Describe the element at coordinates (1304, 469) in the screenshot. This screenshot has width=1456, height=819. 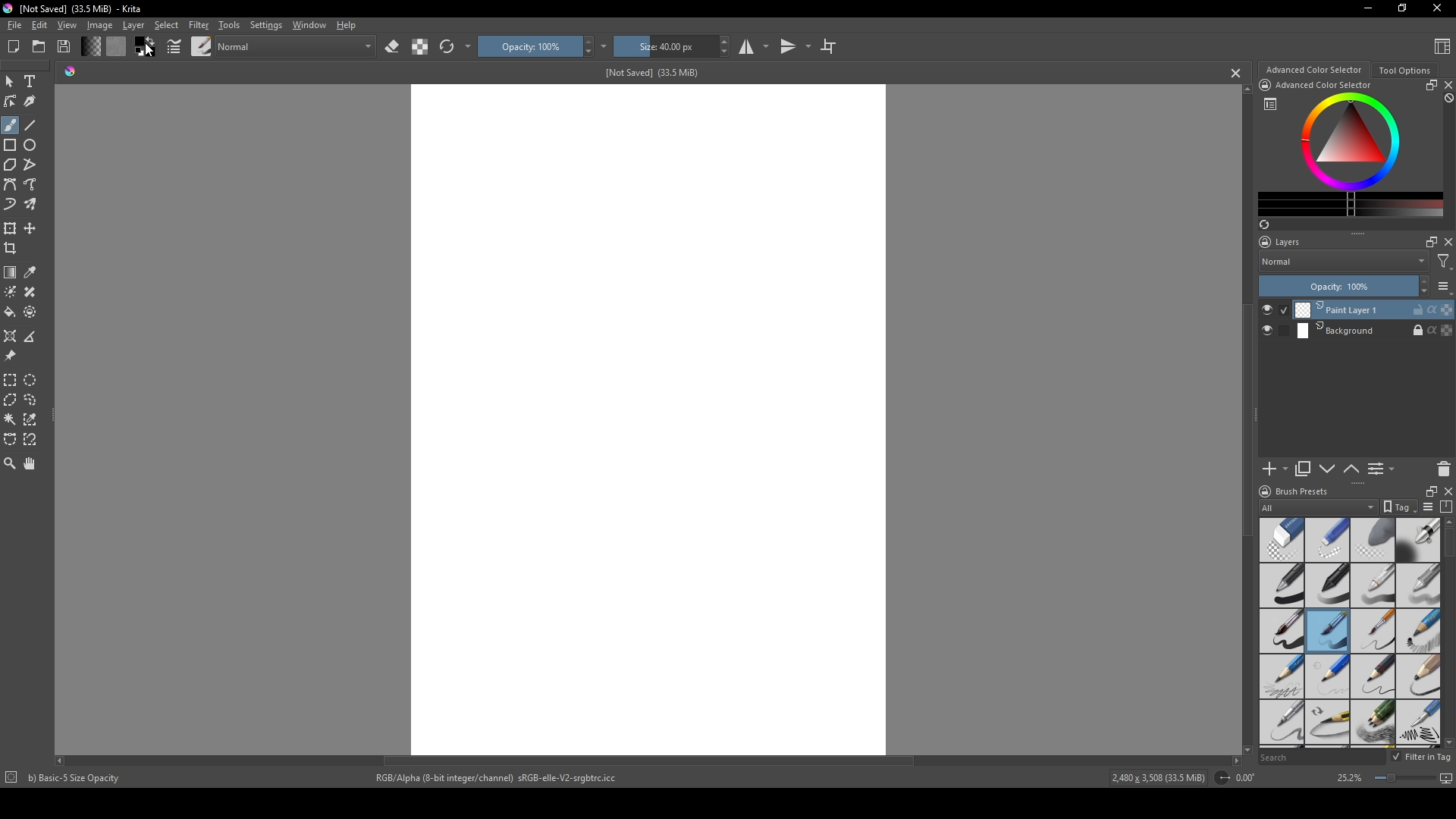
I see `copy` at that location.